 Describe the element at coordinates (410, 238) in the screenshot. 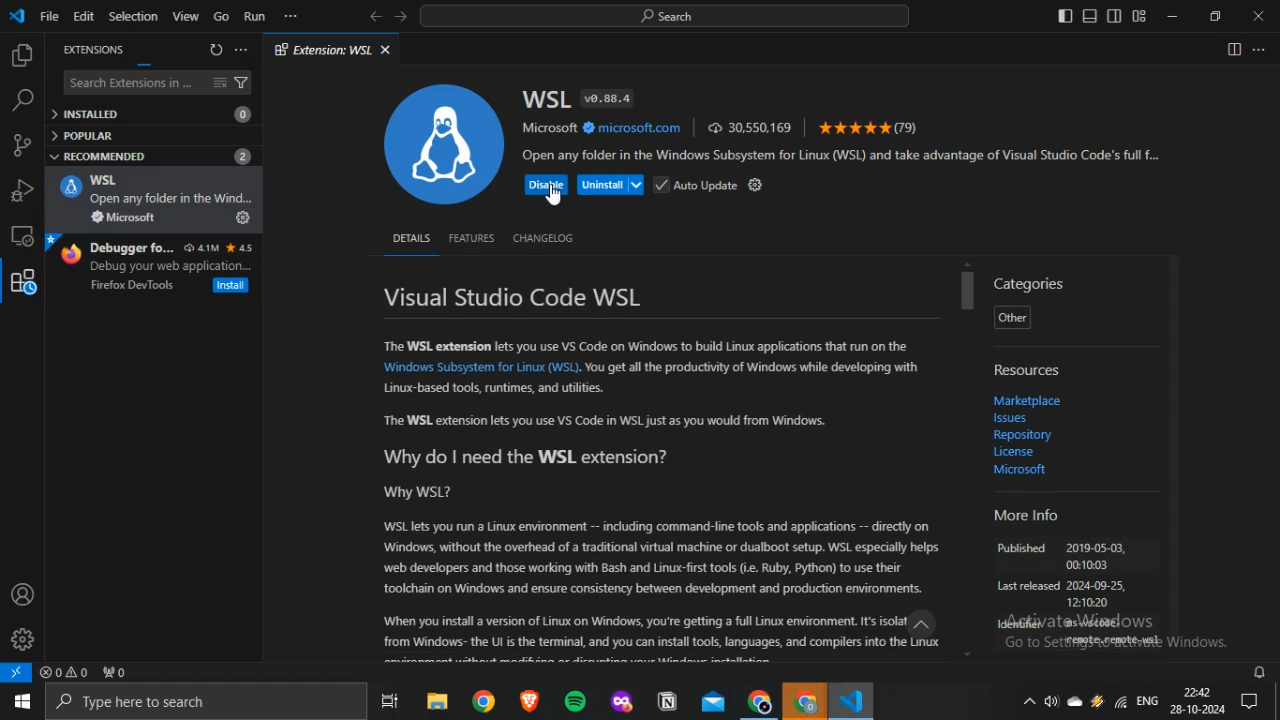

I see `DETAILS` at that location.